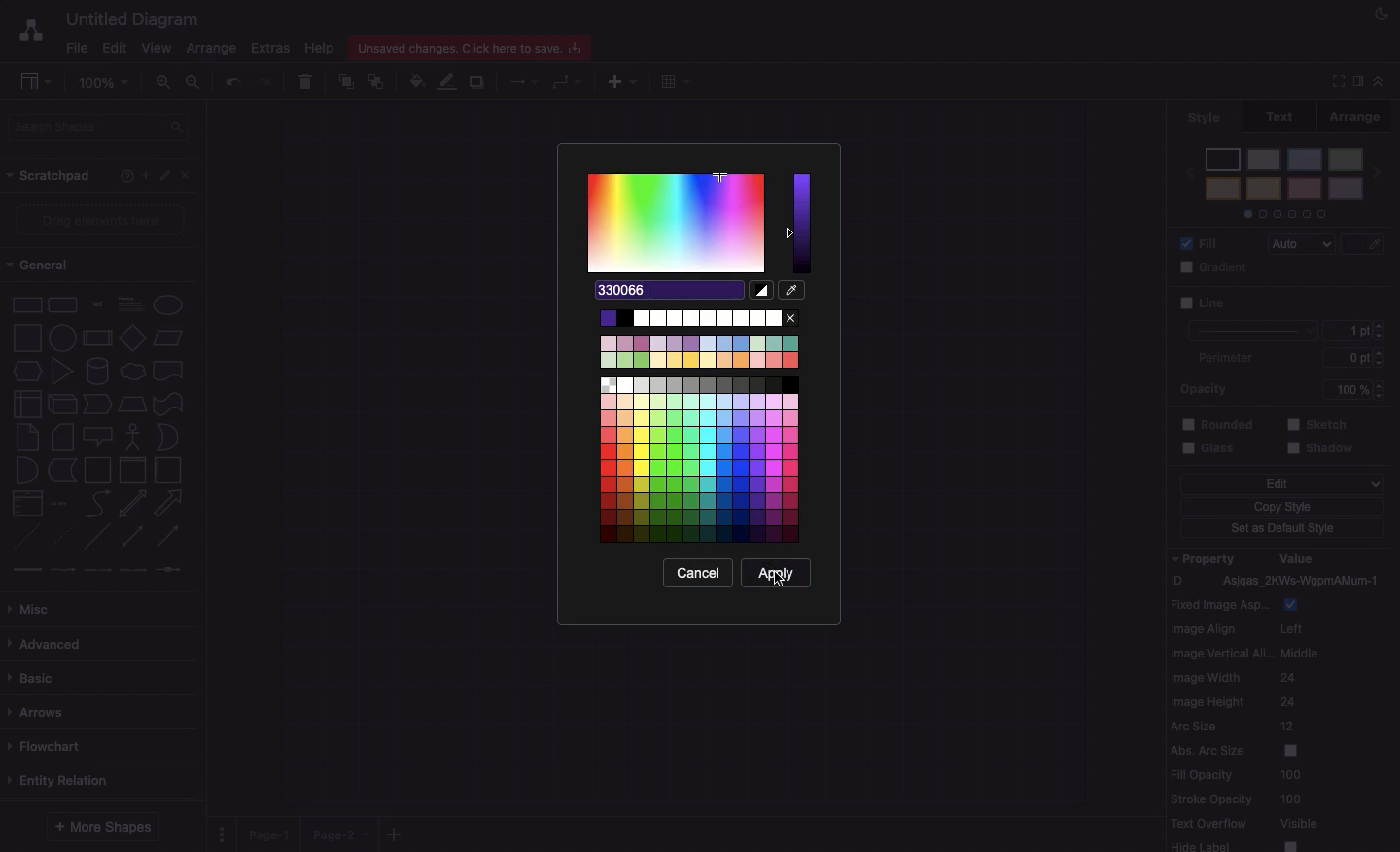 The height and width of the screenshot is (852, 1400). What do you see at coordinates (134, 17) in the screenshot?
I see `Untitled diagram ` at bounding box center [134, 17].